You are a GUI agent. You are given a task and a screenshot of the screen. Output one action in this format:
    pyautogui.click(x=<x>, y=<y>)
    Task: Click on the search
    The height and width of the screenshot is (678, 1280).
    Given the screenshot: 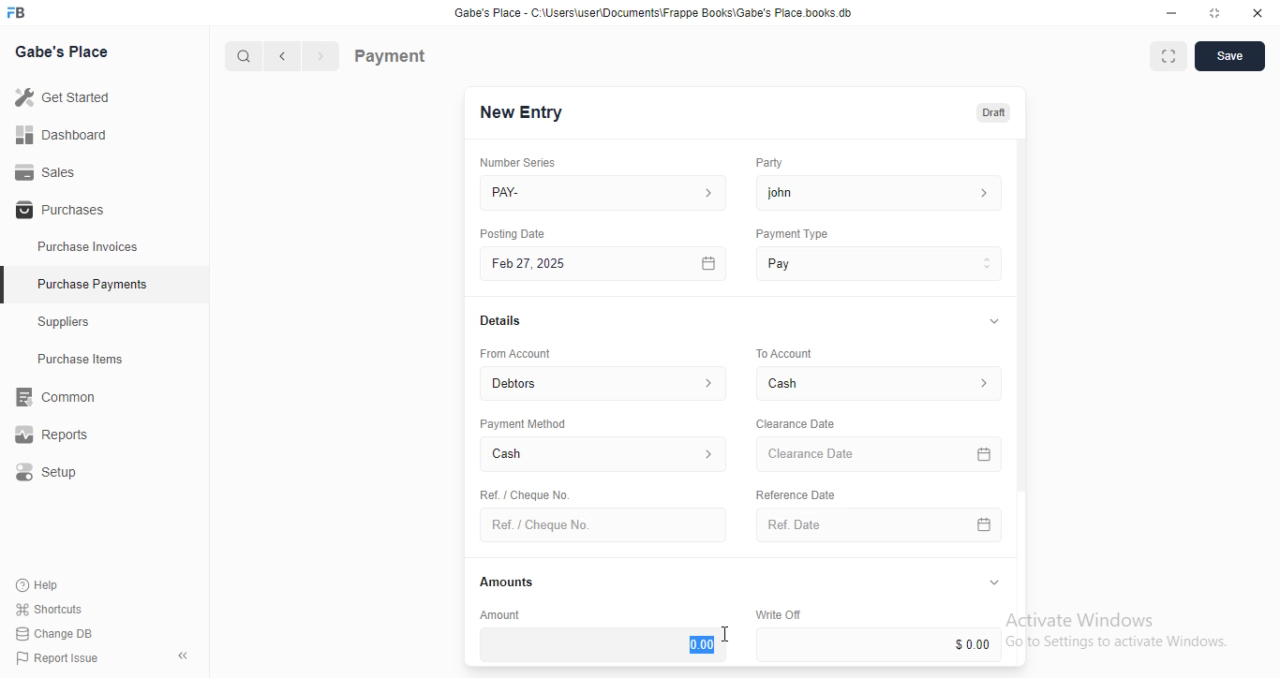 What is the action you would take?
    pyautogui.click(x=245, y=57)
    